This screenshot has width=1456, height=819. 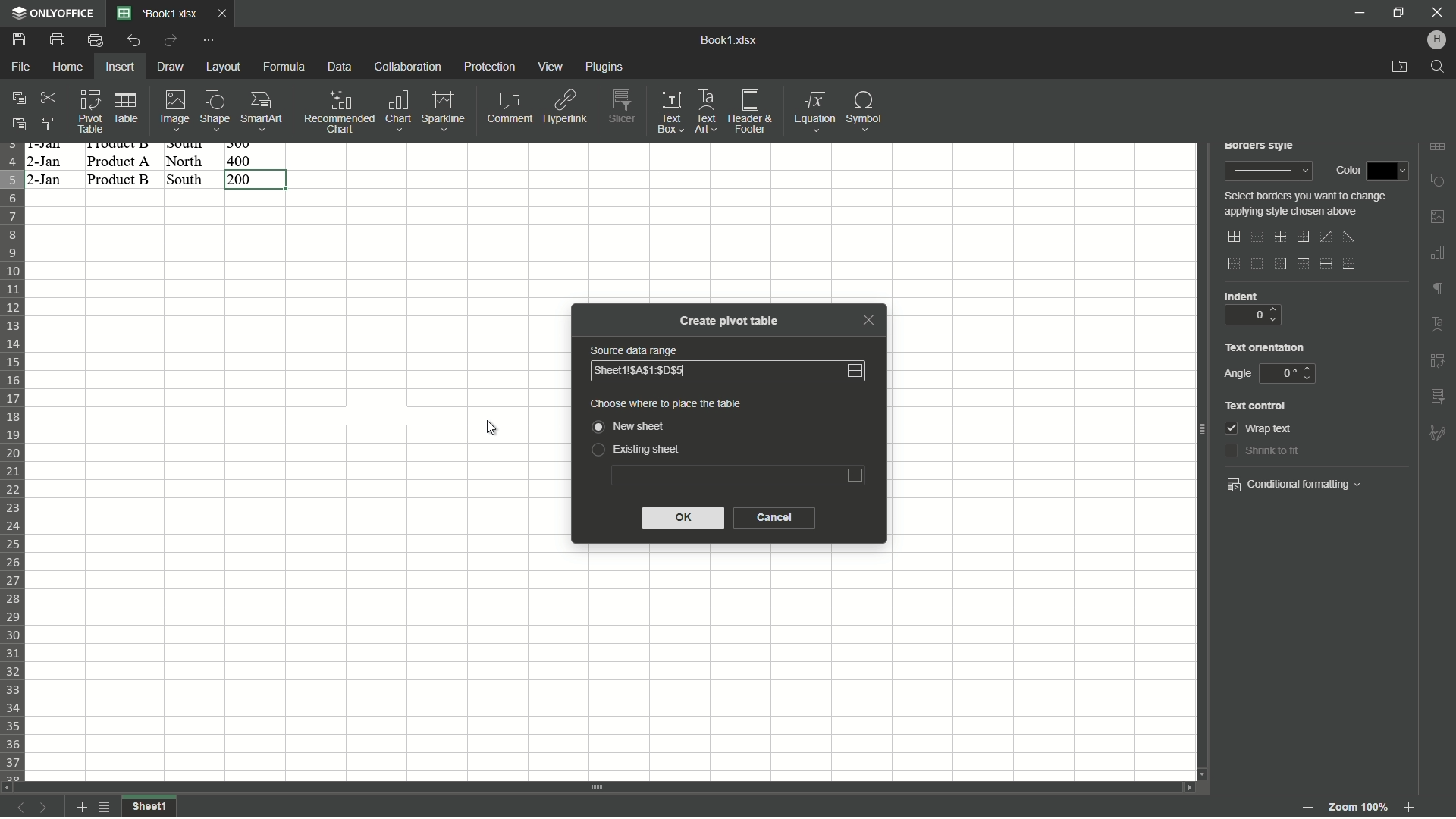 What do you see at coordinates (1276, 321) in the screenshot?
I see `down` at bounding box center [1276, 321].